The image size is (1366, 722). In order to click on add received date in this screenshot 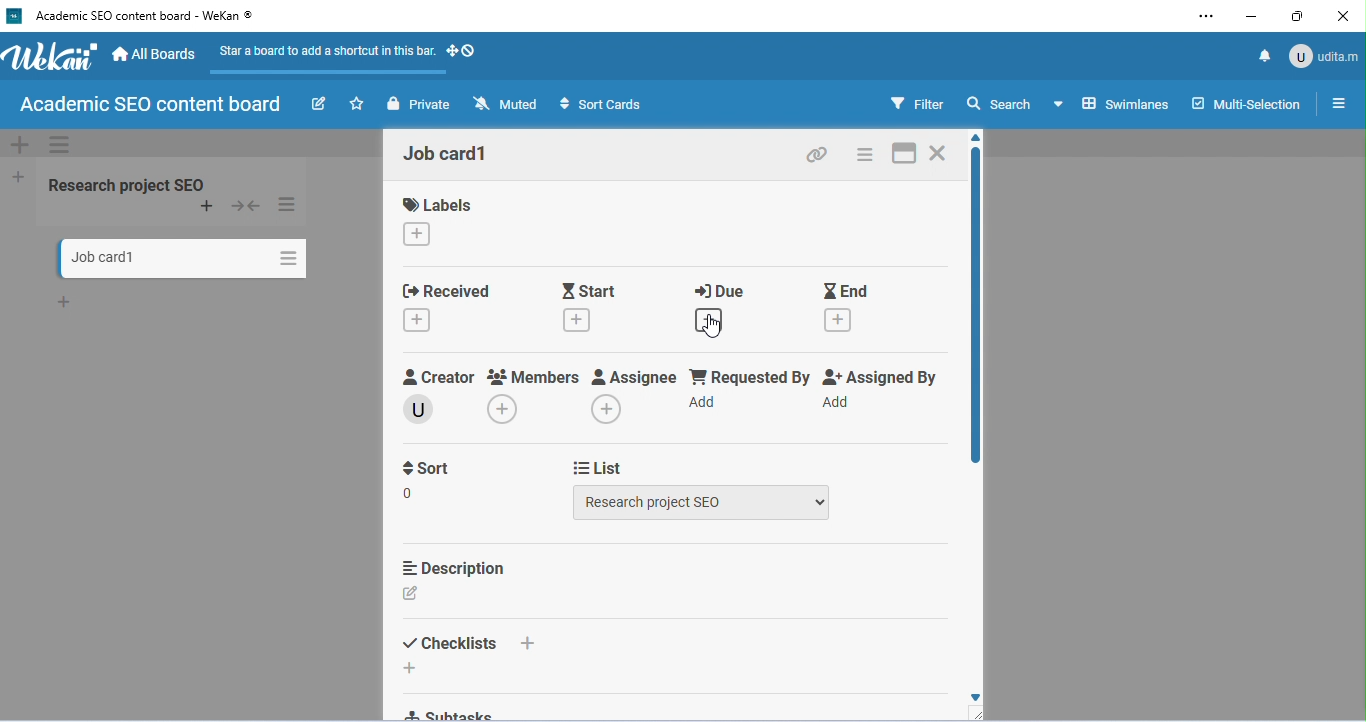, I will do `click(417, 319)`.